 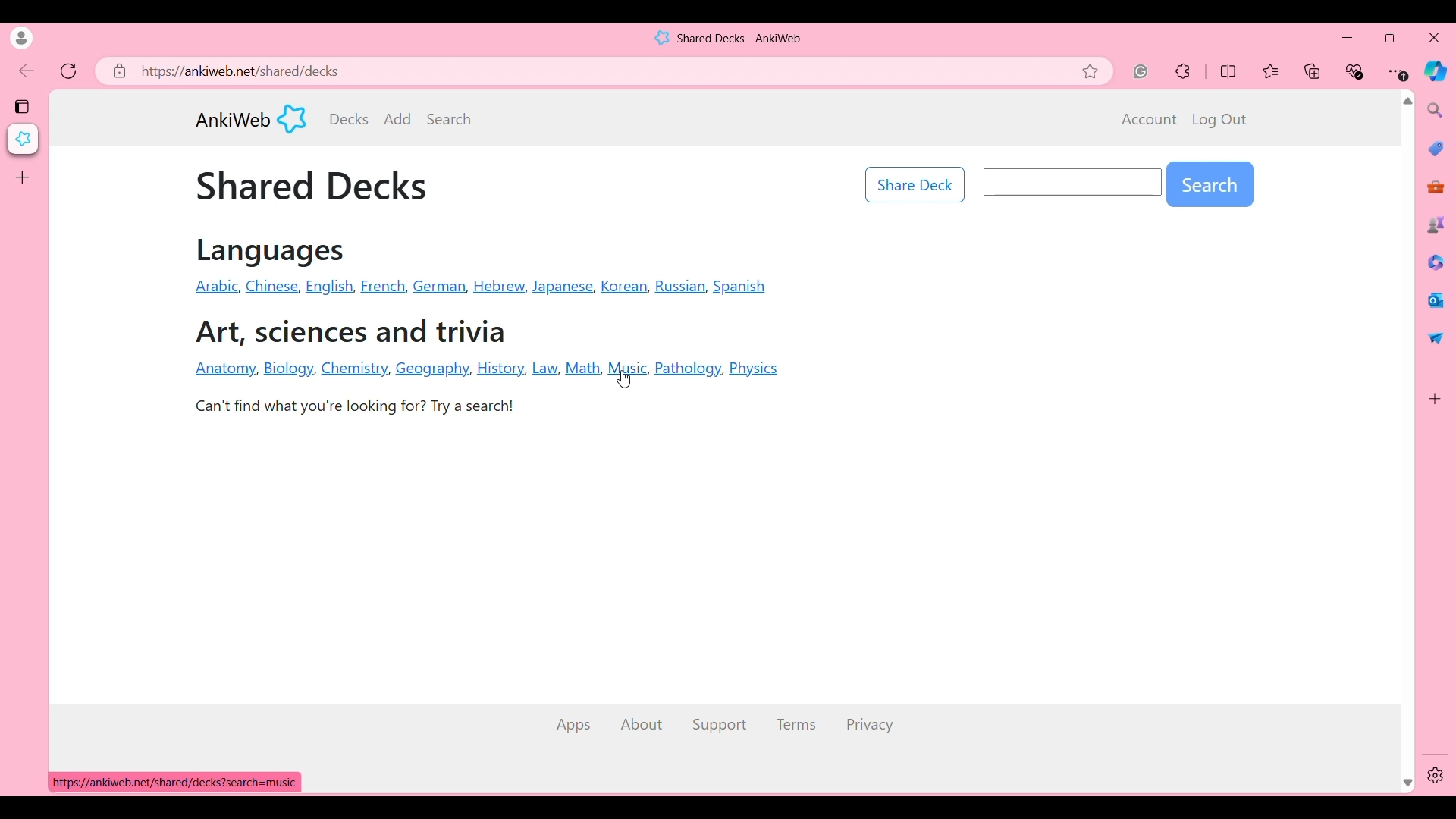 I want to click on Tools, so click(x=1436, y=187).